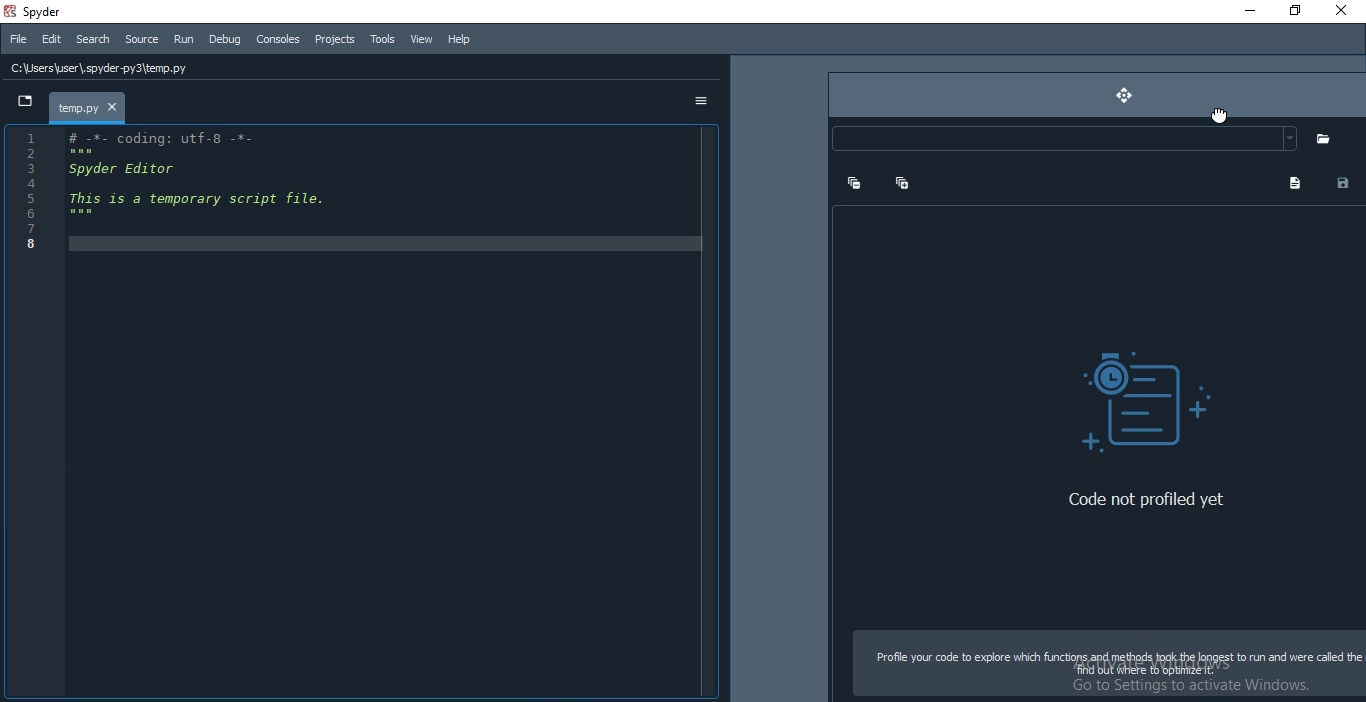  I want to click on spyder, so click(43, 11).